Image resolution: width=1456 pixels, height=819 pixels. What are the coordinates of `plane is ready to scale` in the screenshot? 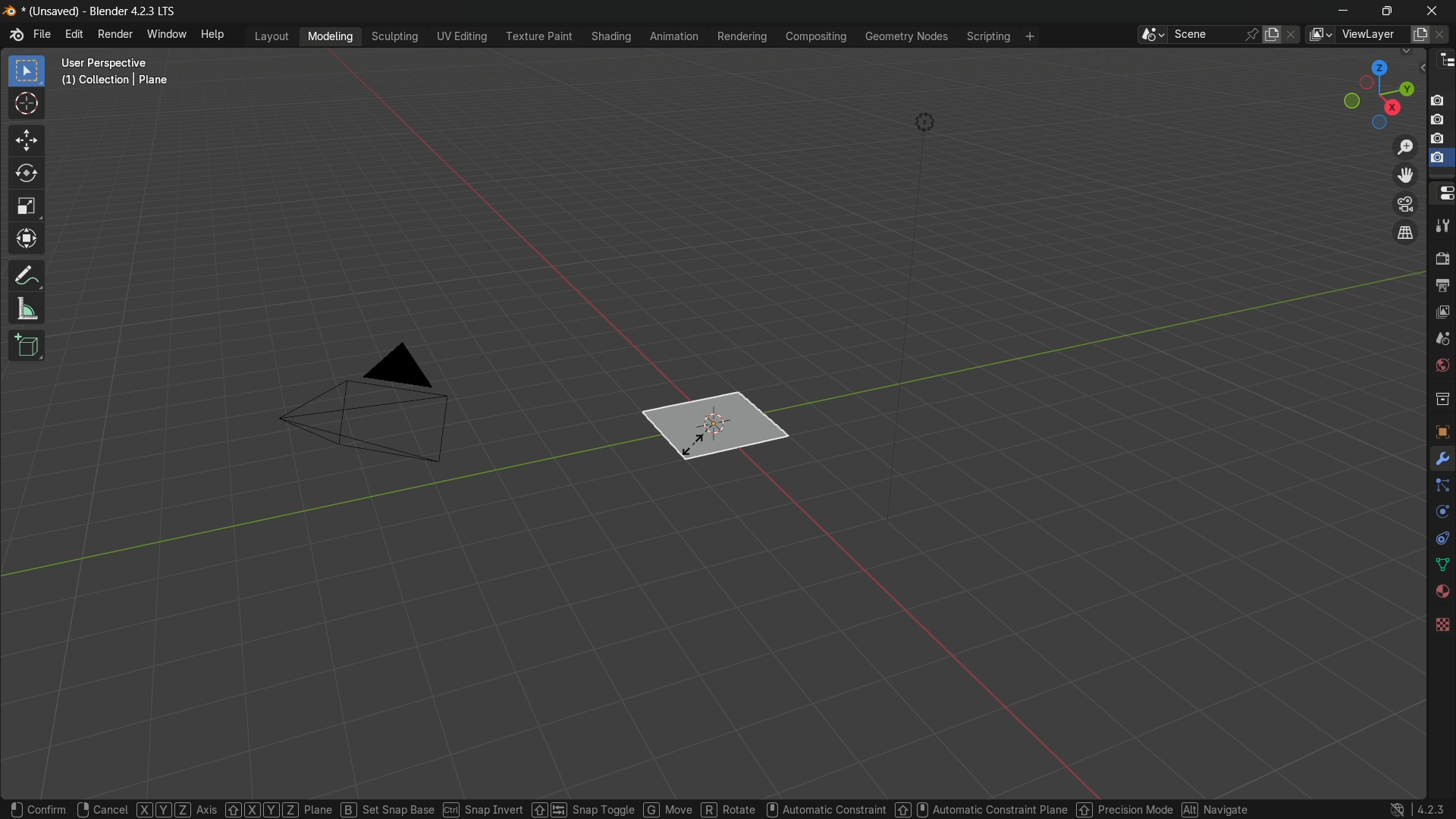 It's located at (699, 439).